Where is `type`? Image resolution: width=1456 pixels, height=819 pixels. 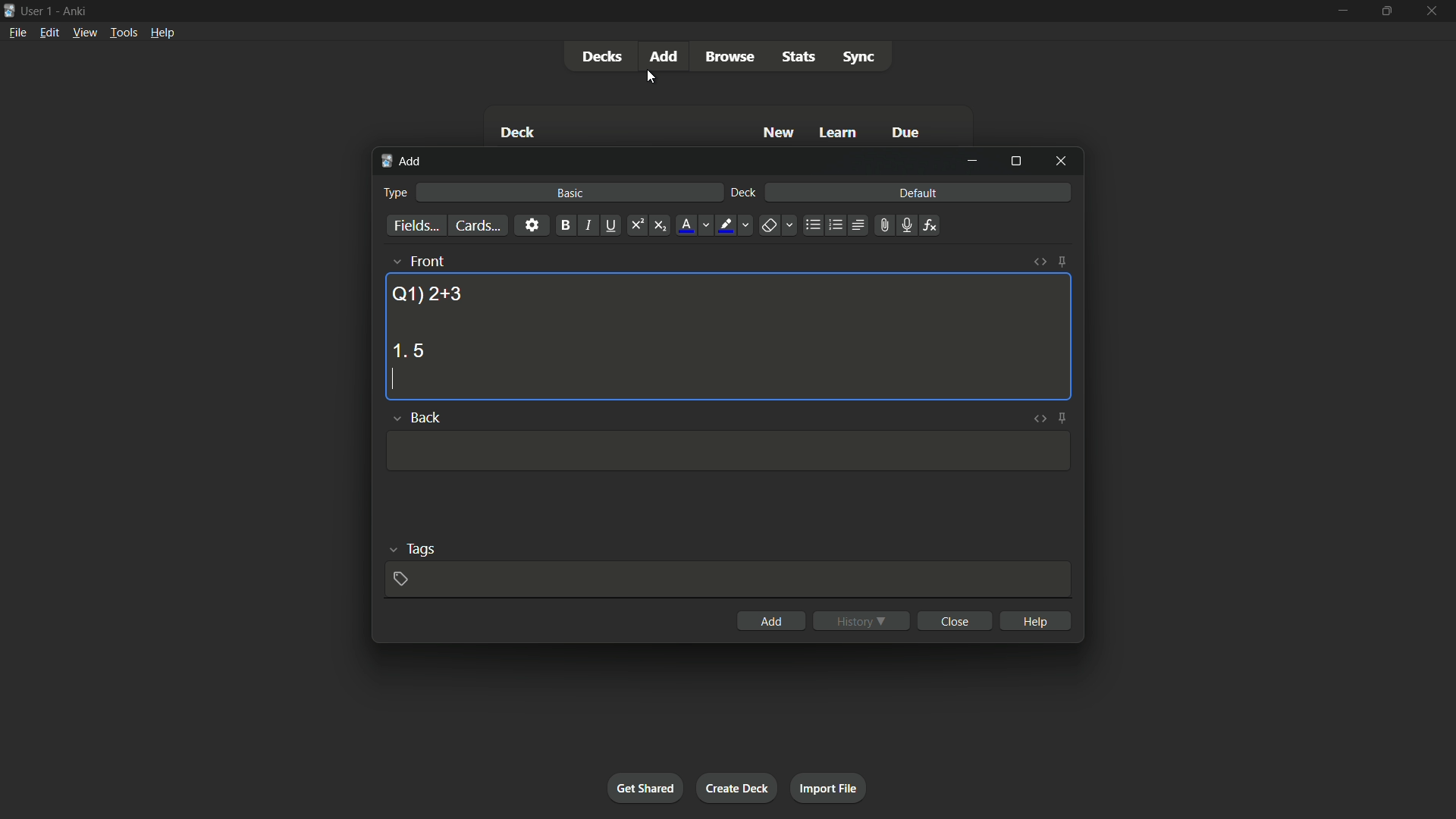 type is located at coordinates (394, 193).